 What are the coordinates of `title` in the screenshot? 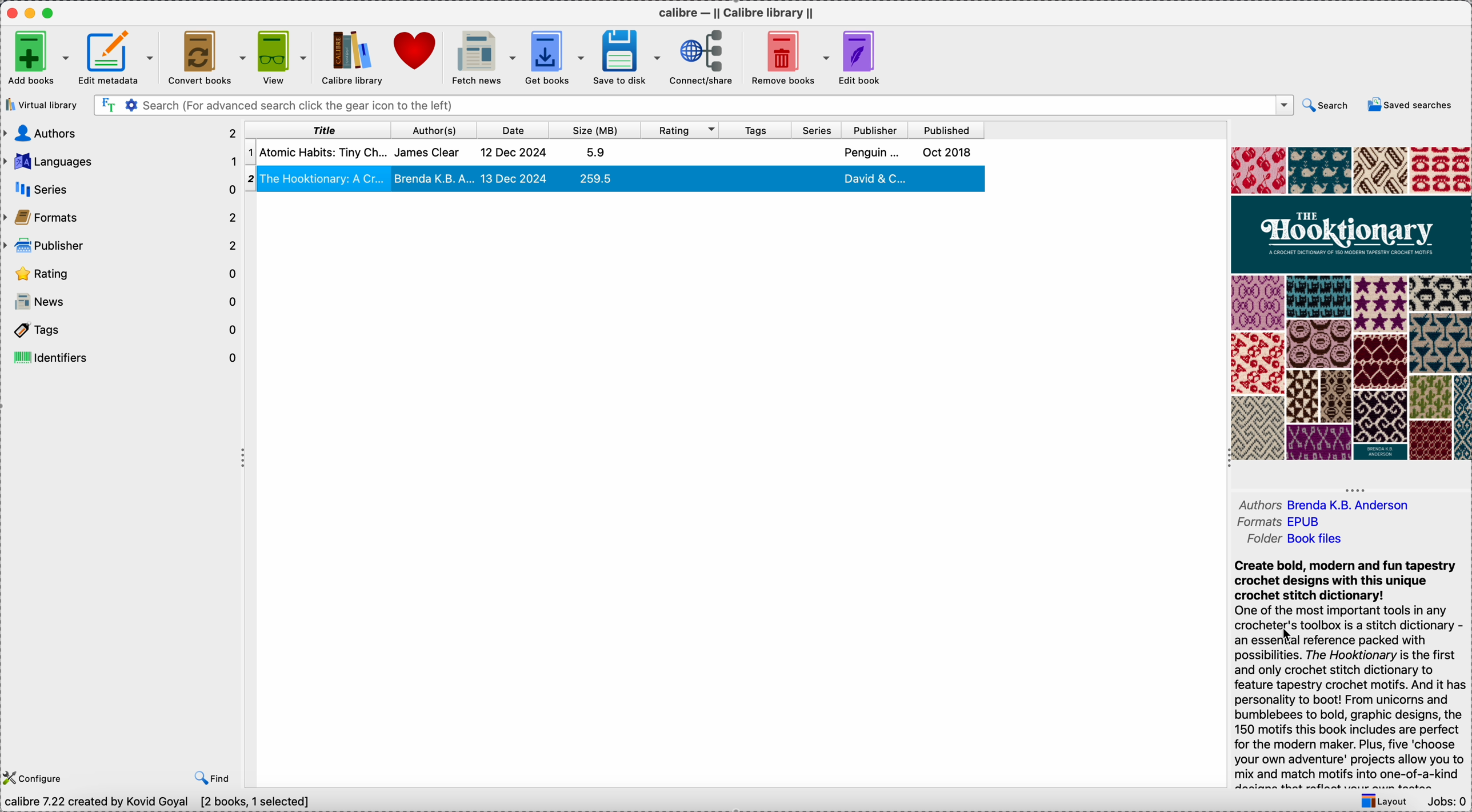 It's located at (322, 131).